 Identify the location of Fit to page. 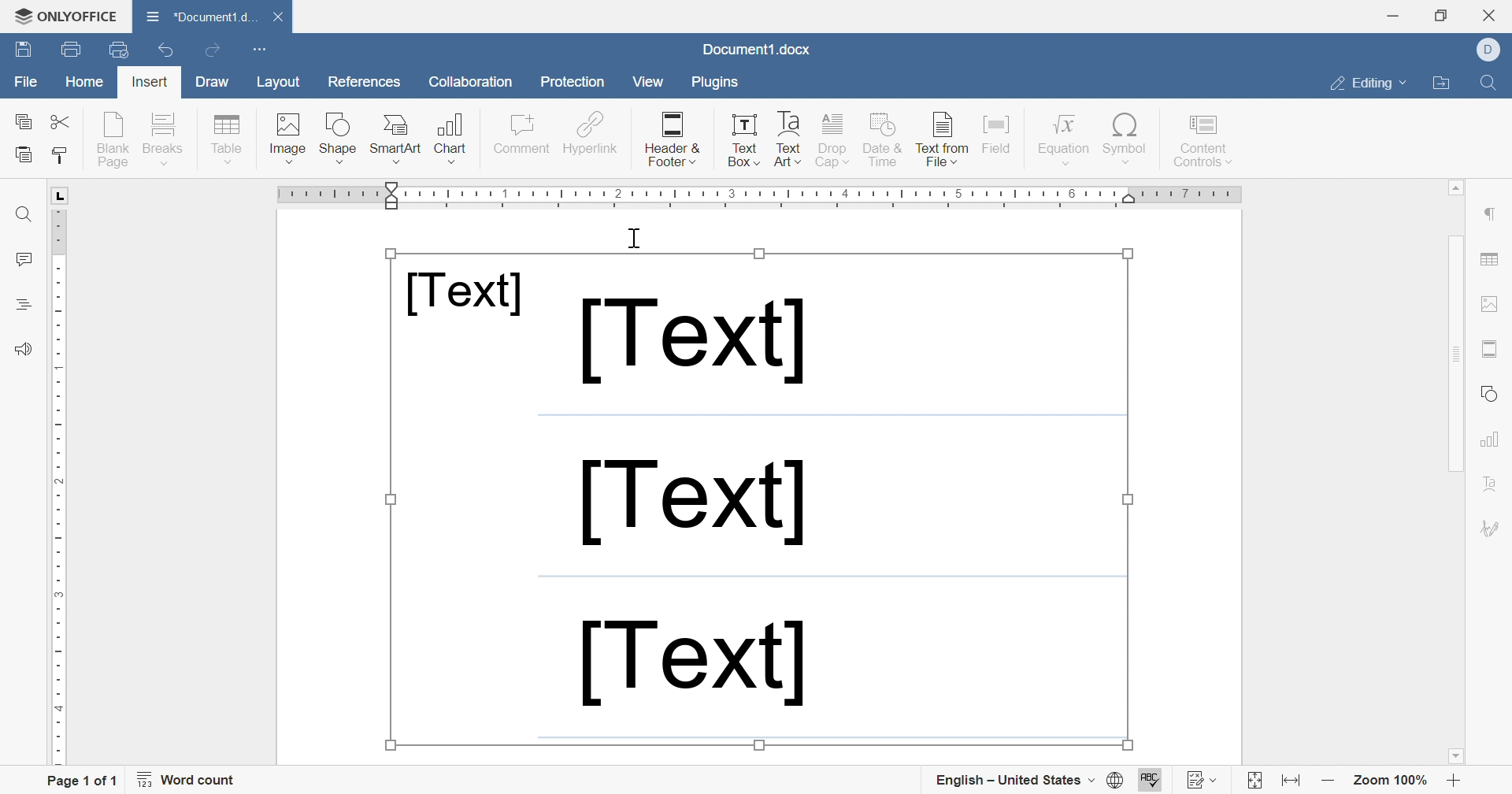
(1255, 780).